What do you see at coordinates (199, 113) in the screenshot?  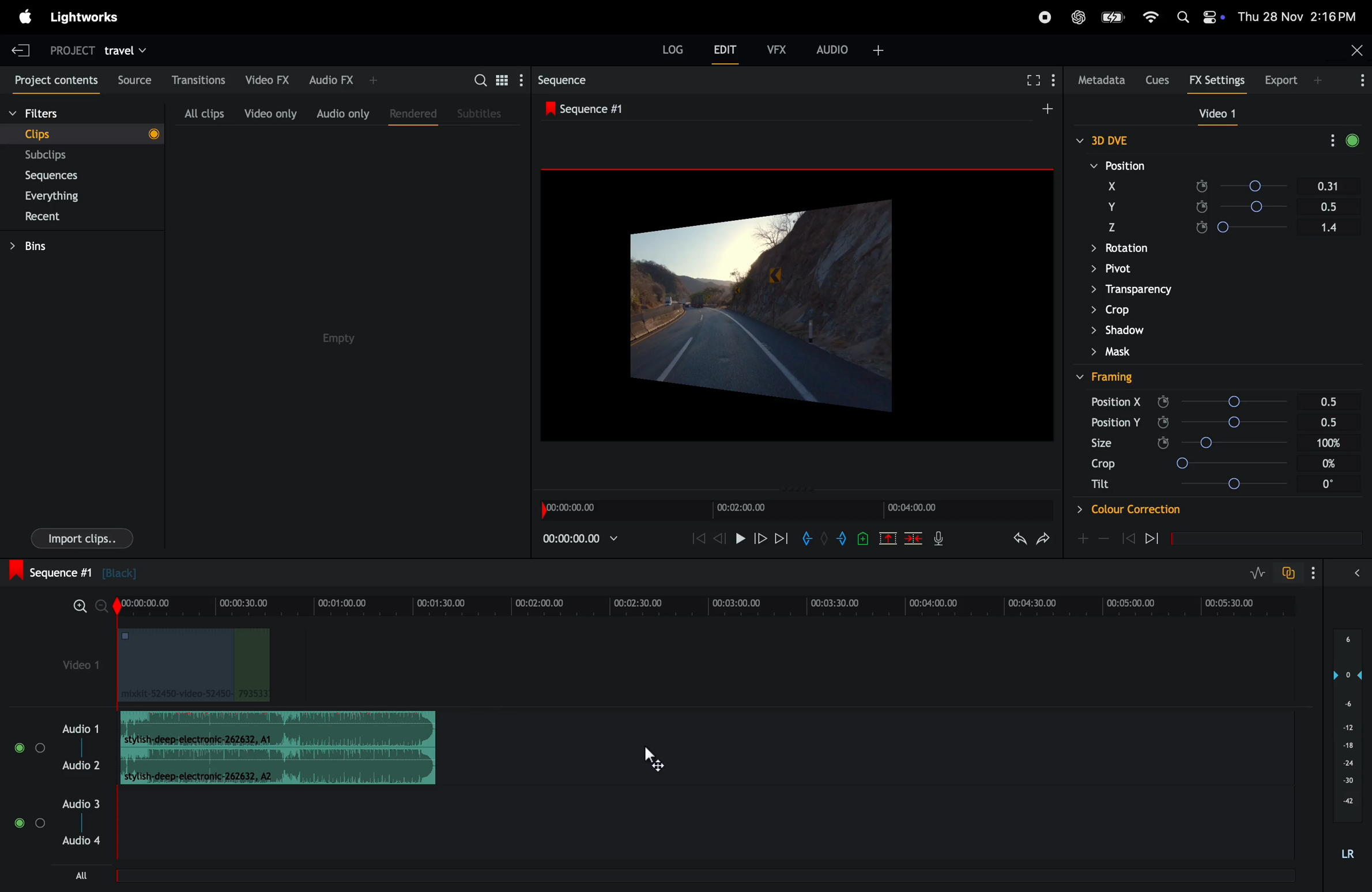 I see `all clips` at bounding box center [199, 113].